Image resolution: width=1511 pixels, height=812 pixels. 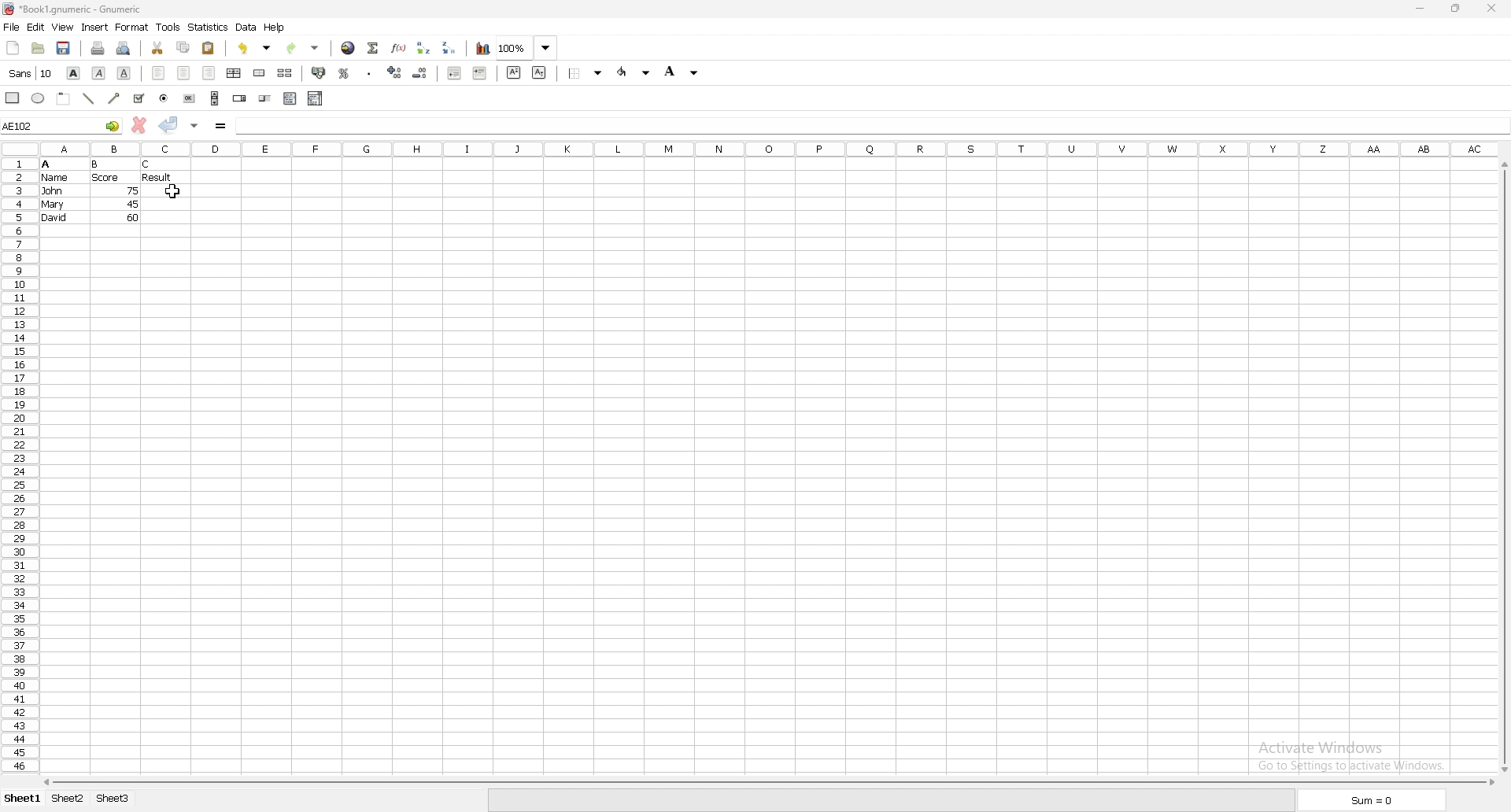 I want to click on open, so click(x=39, y=48).